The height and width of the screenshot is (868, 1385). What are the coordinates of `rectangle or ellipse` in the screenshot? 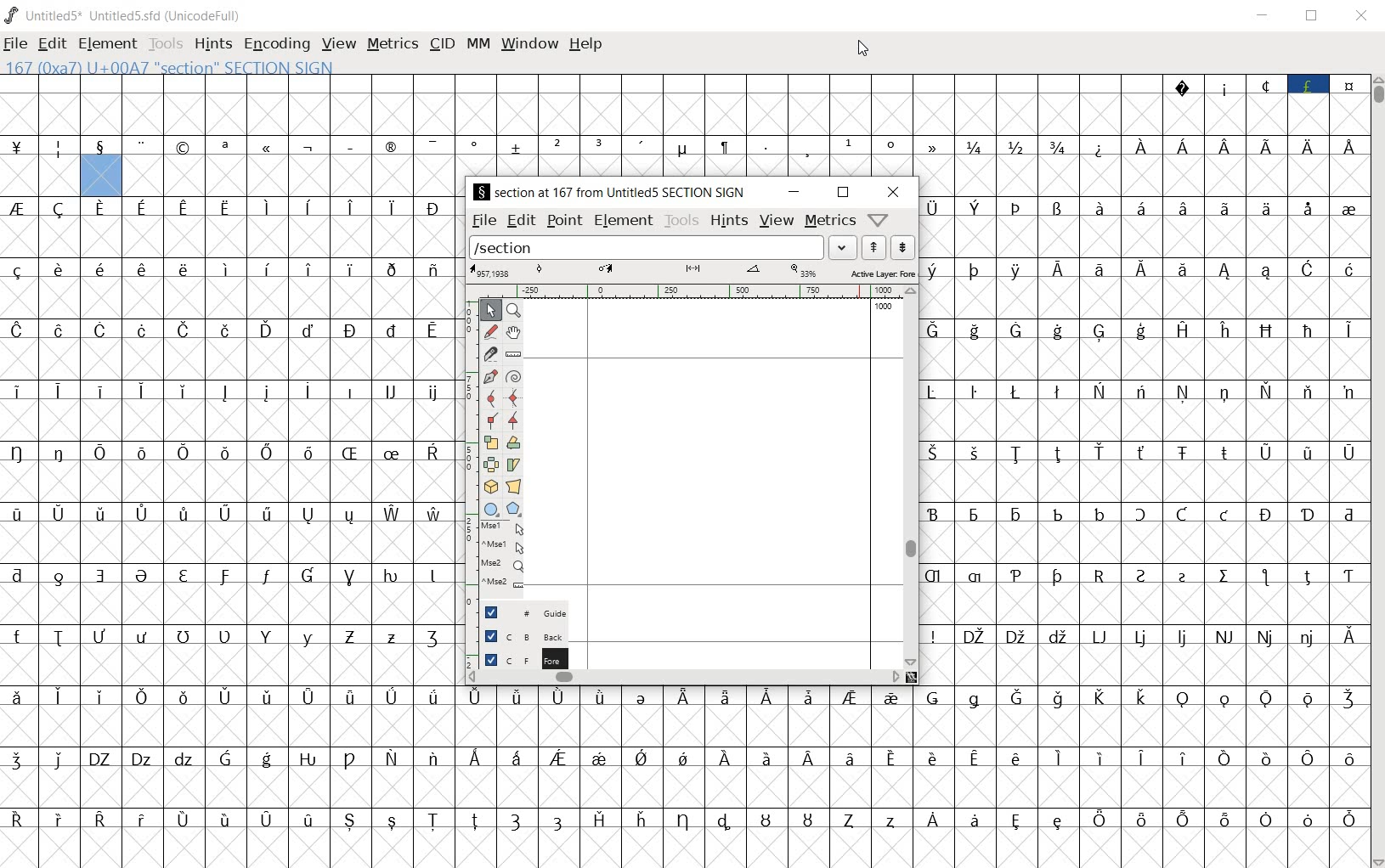 It's located at (491, 510).